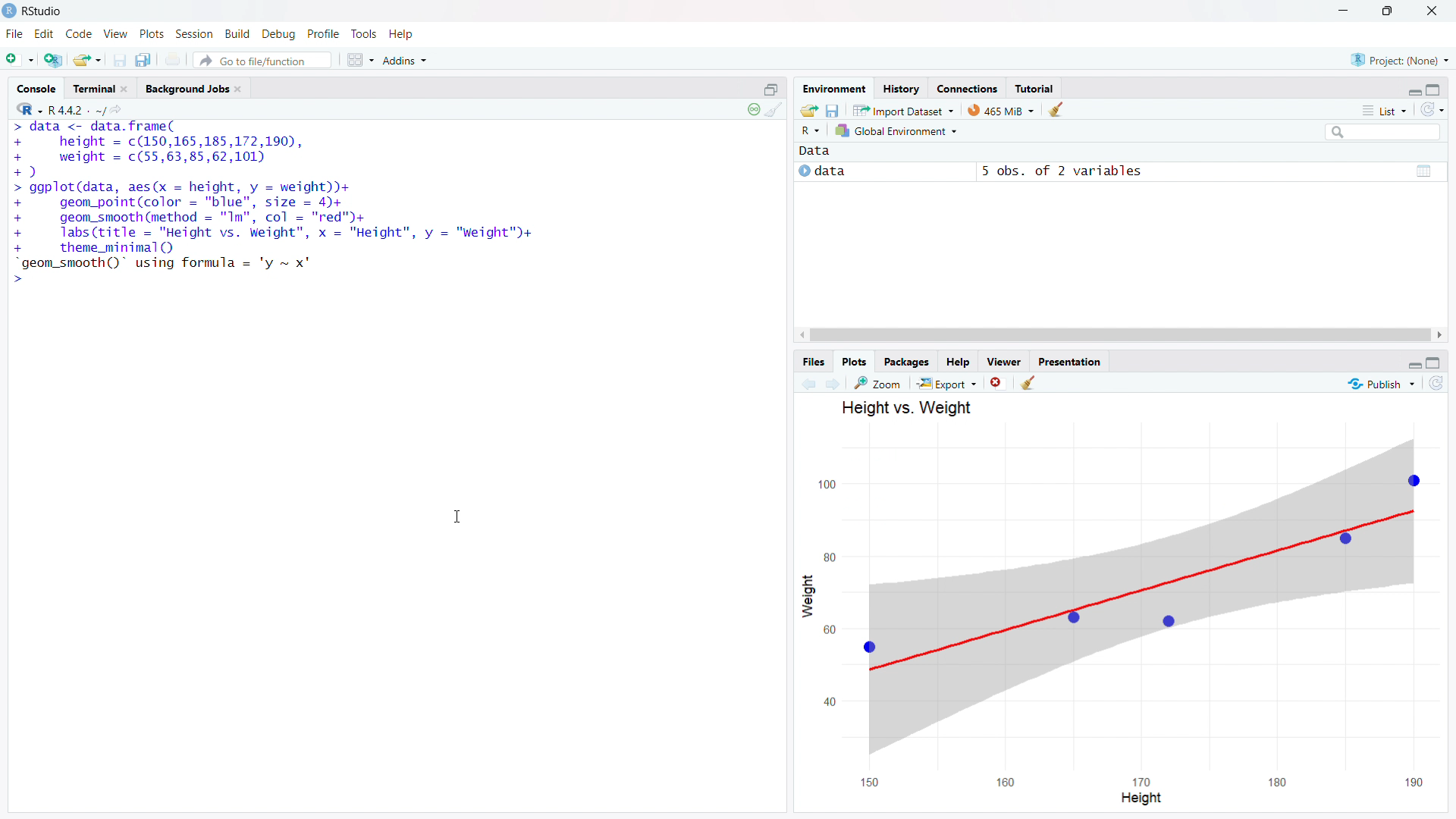 The height and width of the screenshot is (819, 1456). Describe the element at coordinates (809, 382) in the screenshot. I see `previous` at that location.